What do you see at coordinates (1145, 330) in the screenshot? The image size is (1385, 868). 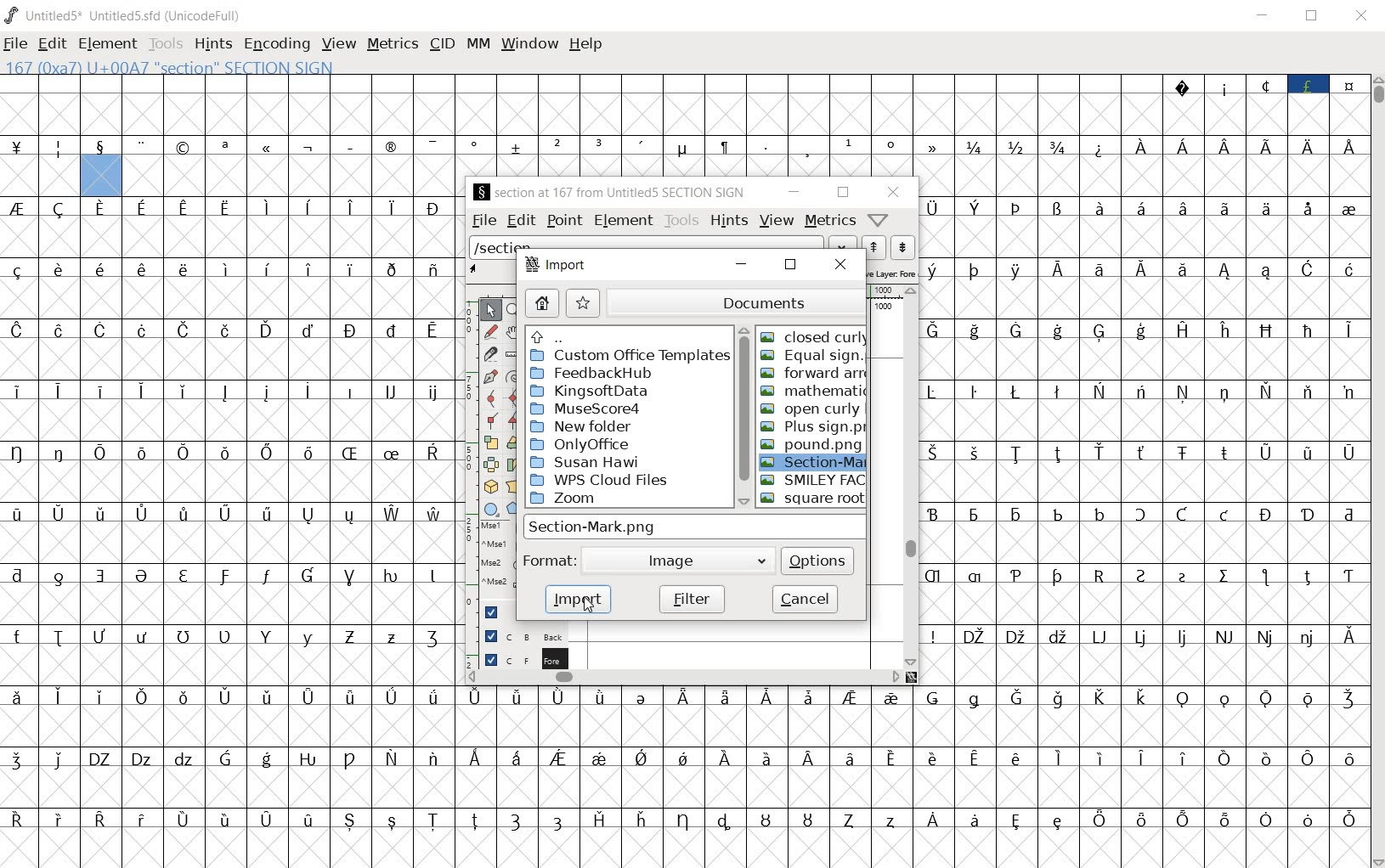 I see `special letters` at bounding box center [1145, 330].